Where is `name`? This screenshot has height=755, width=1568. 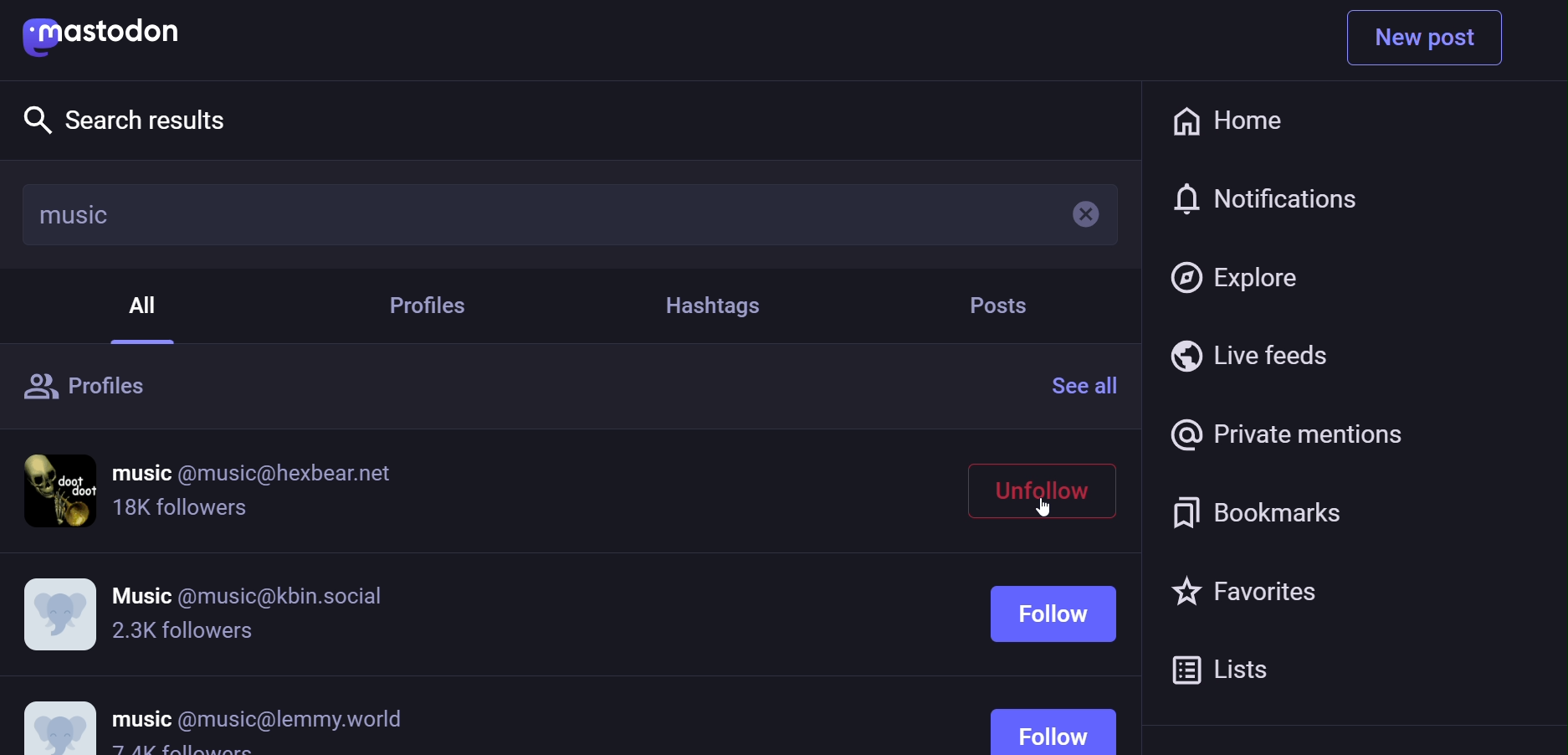
name is located at coordinates (259, 718).